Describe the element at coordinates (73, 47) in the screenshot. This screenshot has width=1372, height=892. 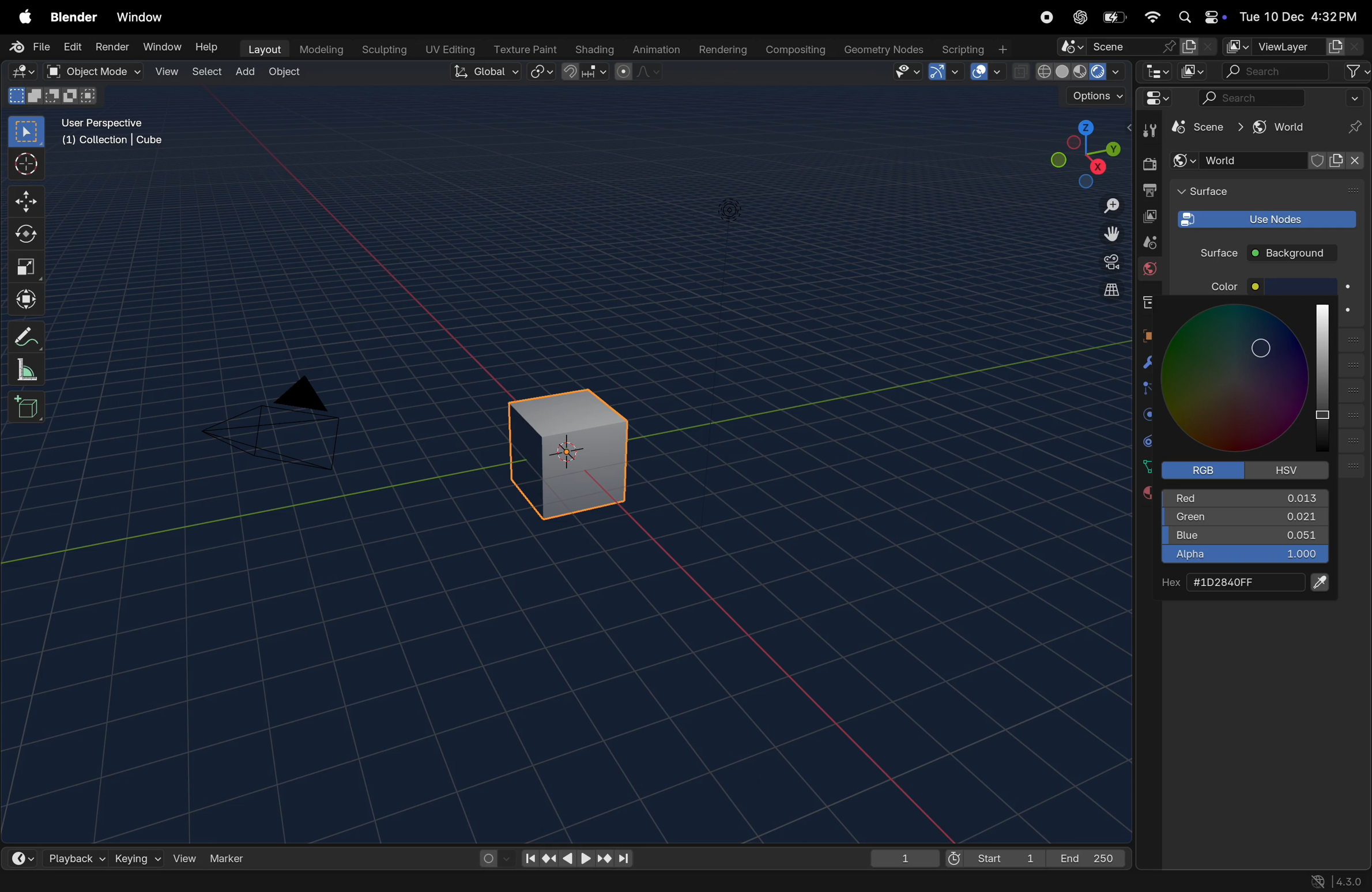
I see `Edit` at that location.